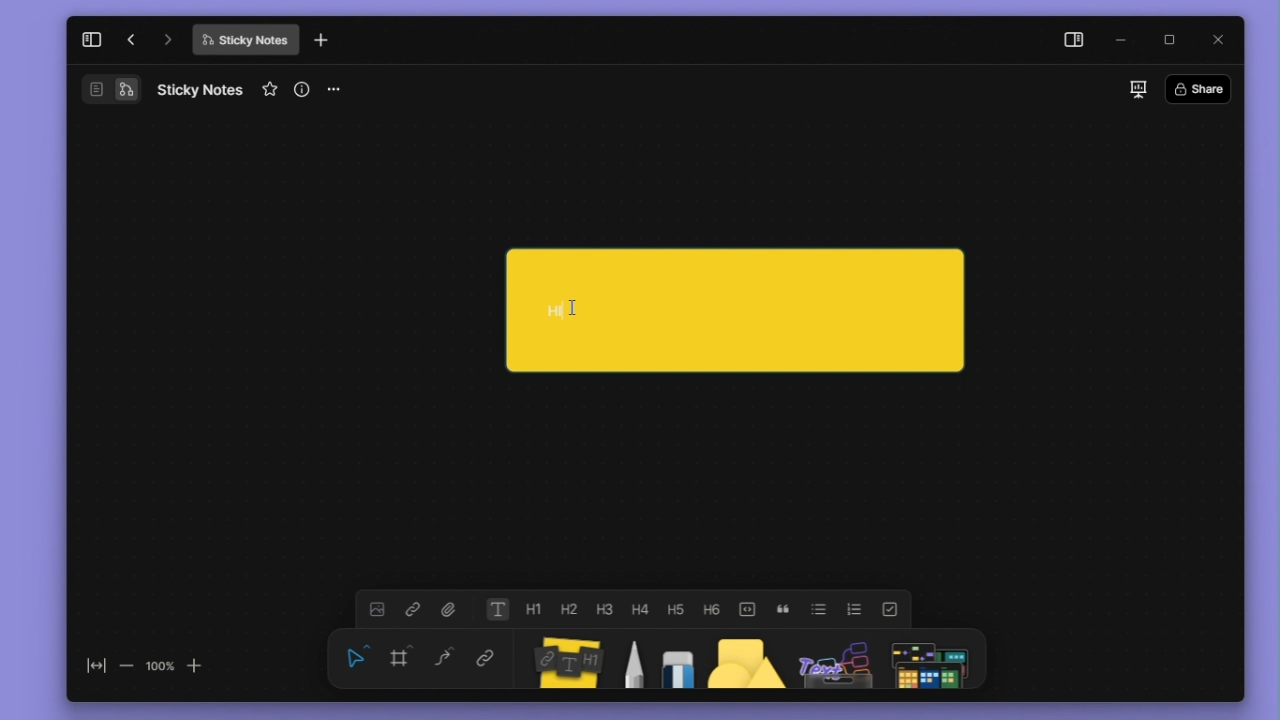  I want to click on attachment, so click(451, 611).